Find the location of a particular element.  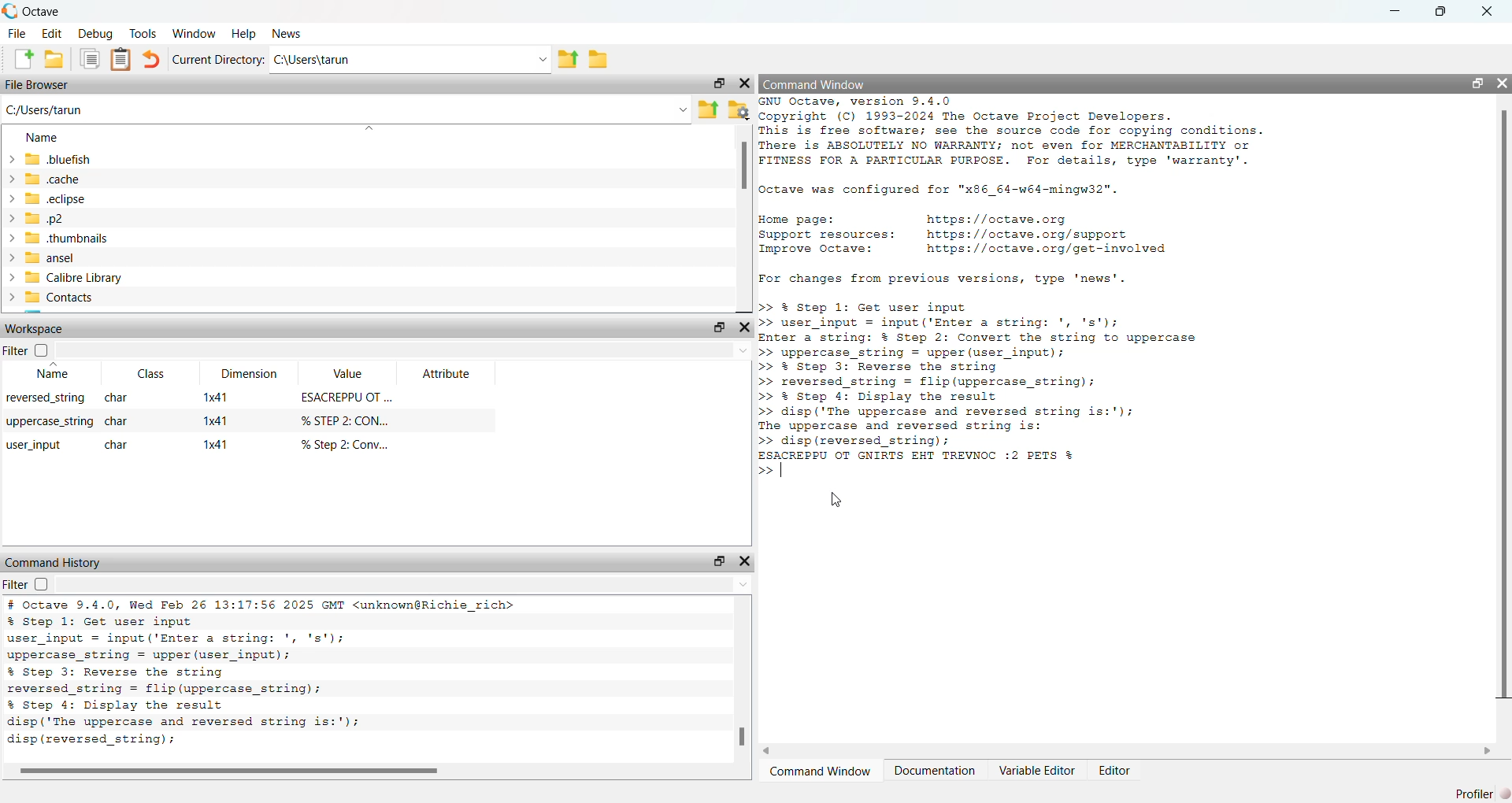

minimize is located at coordinates (1397, 12).